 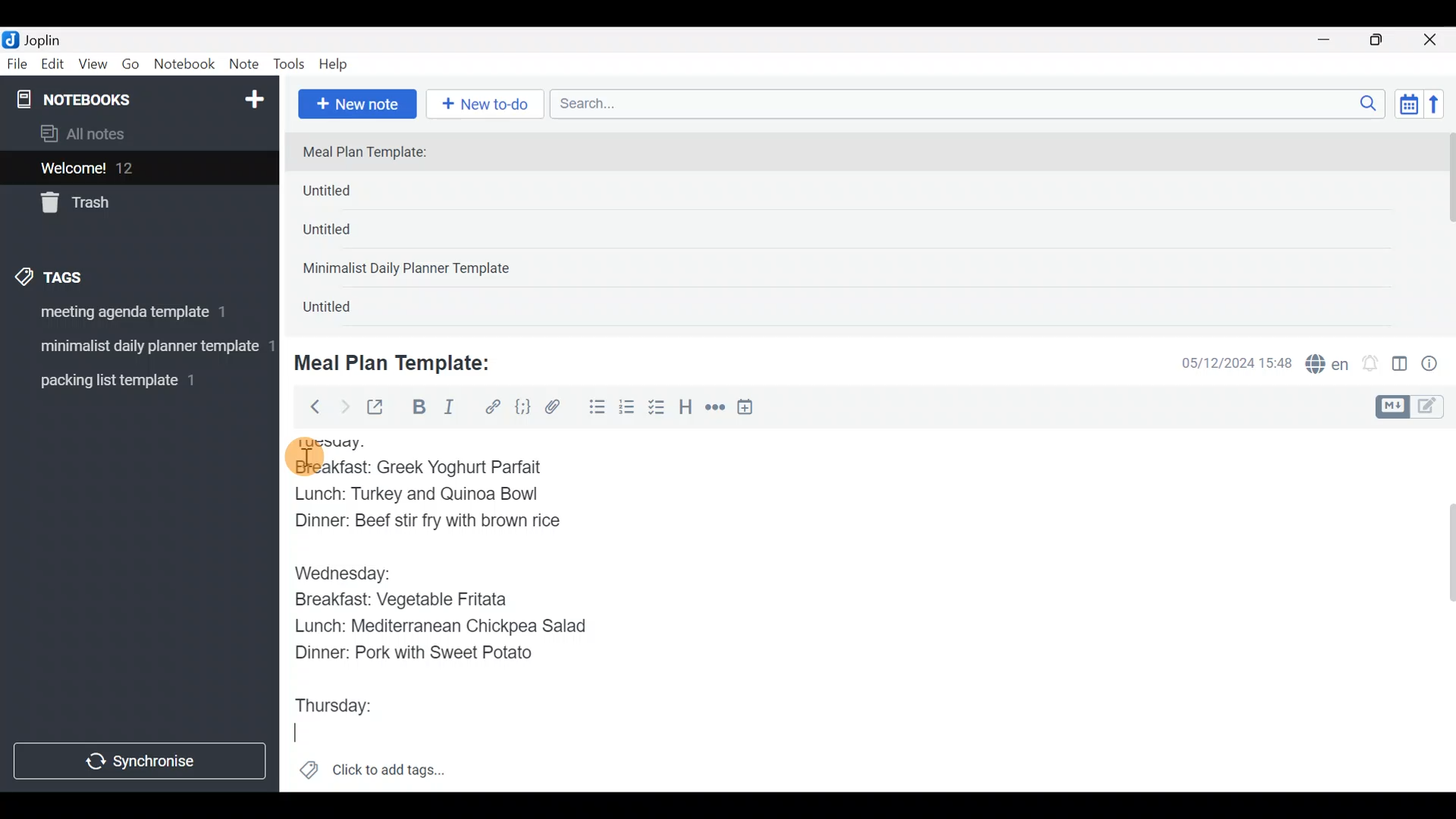 I want to click on Checkbox, so click(x=658, y=409).